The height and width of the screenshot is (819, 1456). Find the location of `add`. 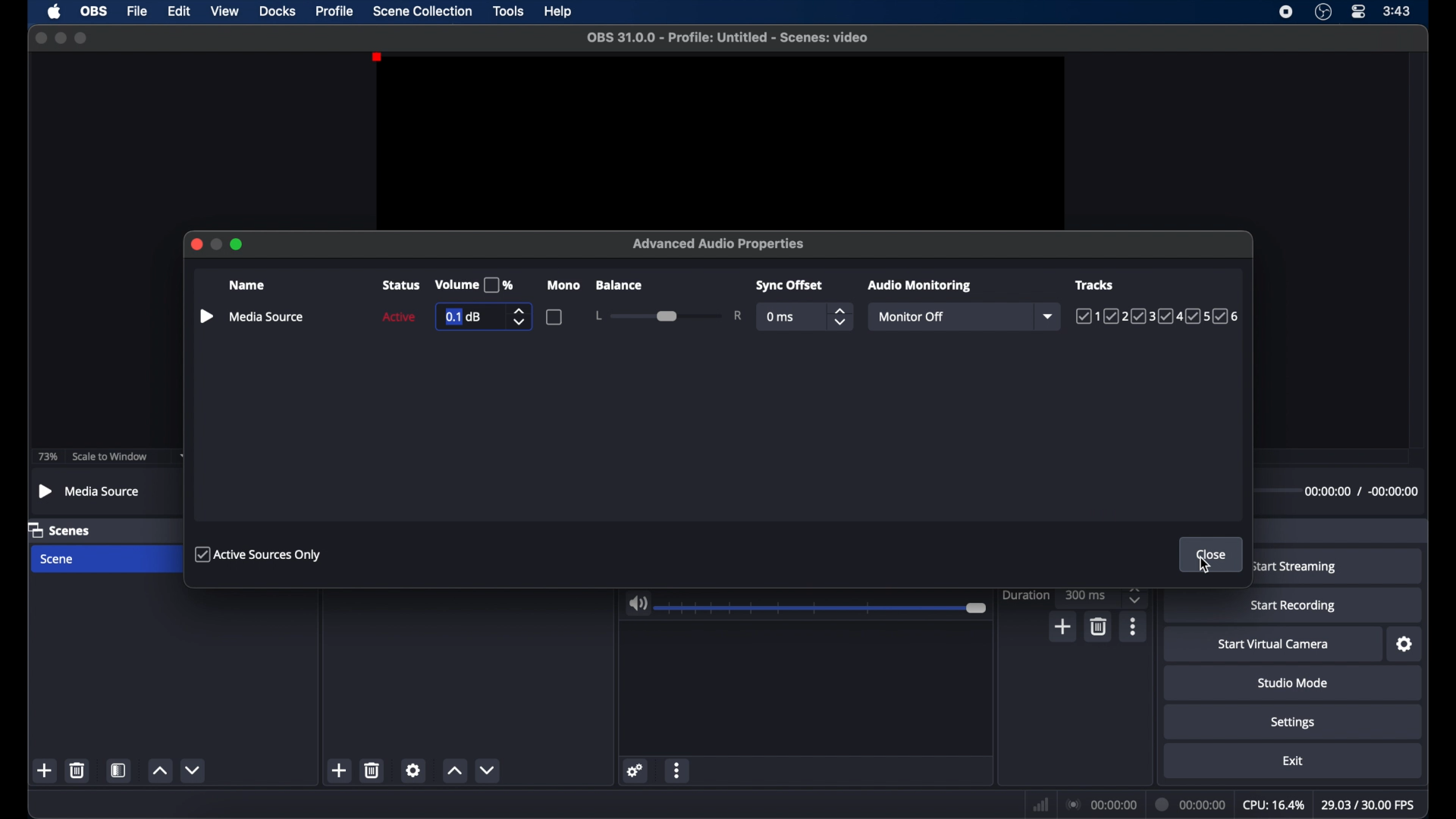

add is located at coordinates (1064, 627).